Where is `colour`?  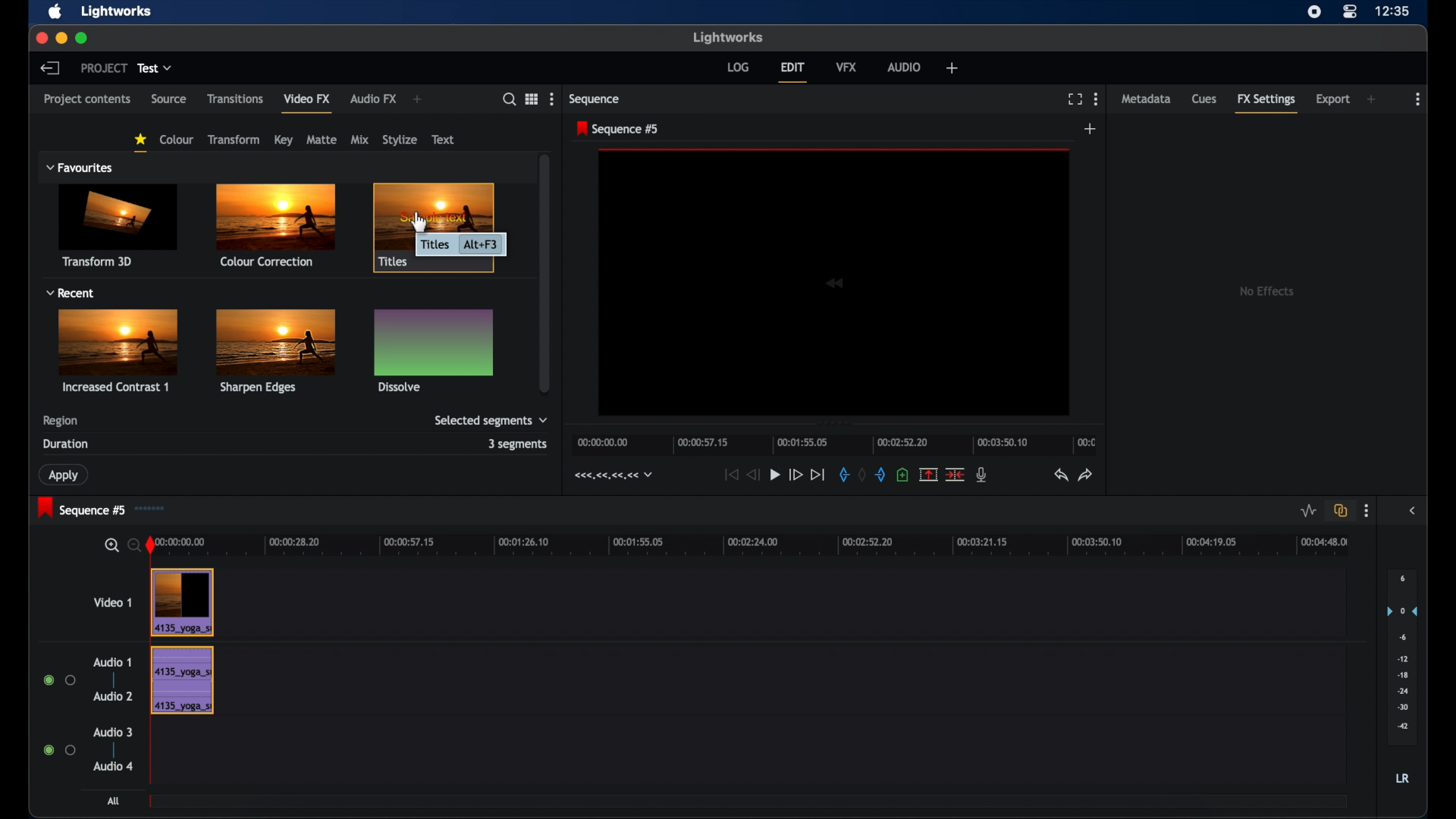
colour is located at coordinates (176, 140).